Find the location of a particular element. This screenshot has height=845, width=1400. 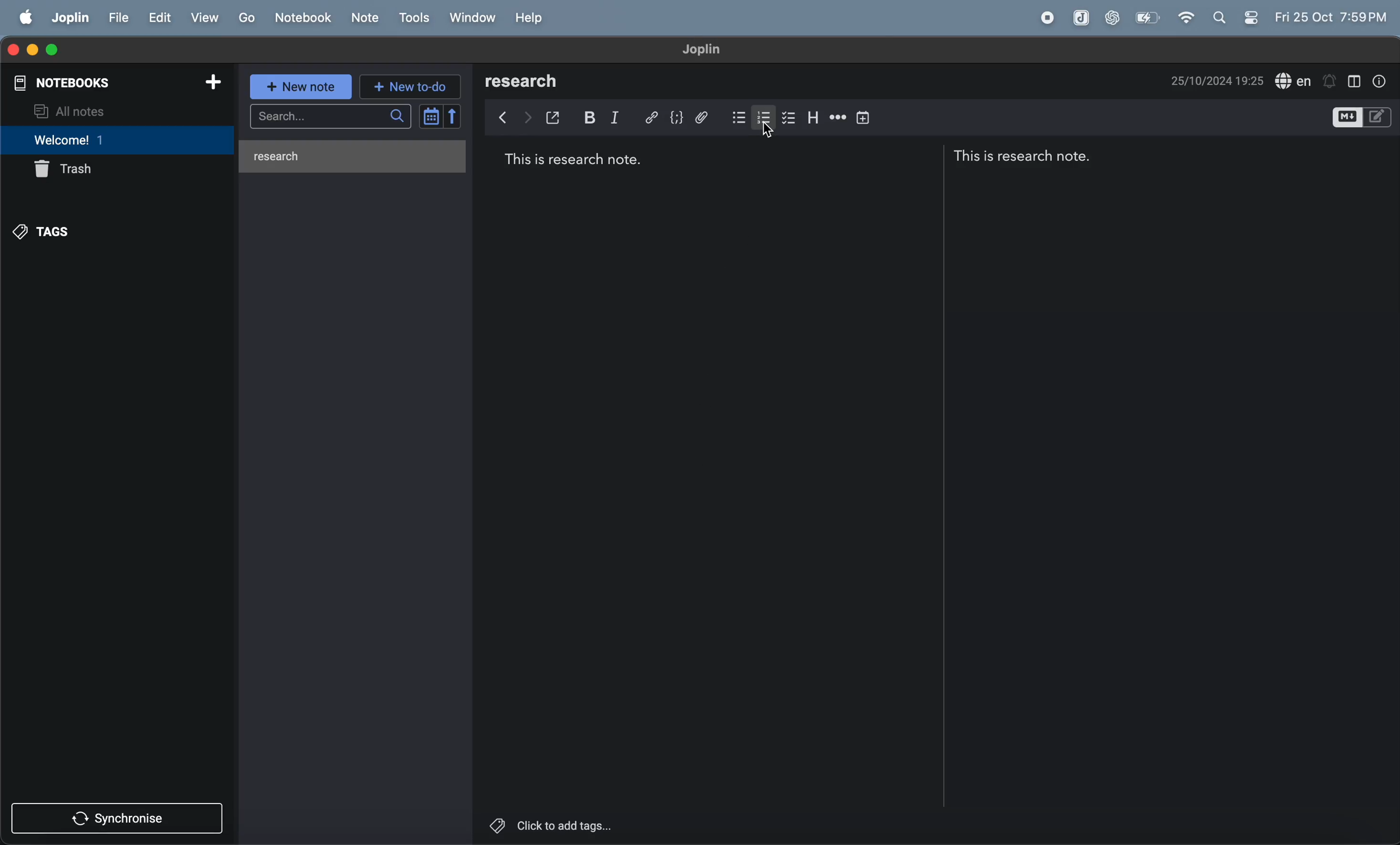

Tools is located at coordinates (414, 17).